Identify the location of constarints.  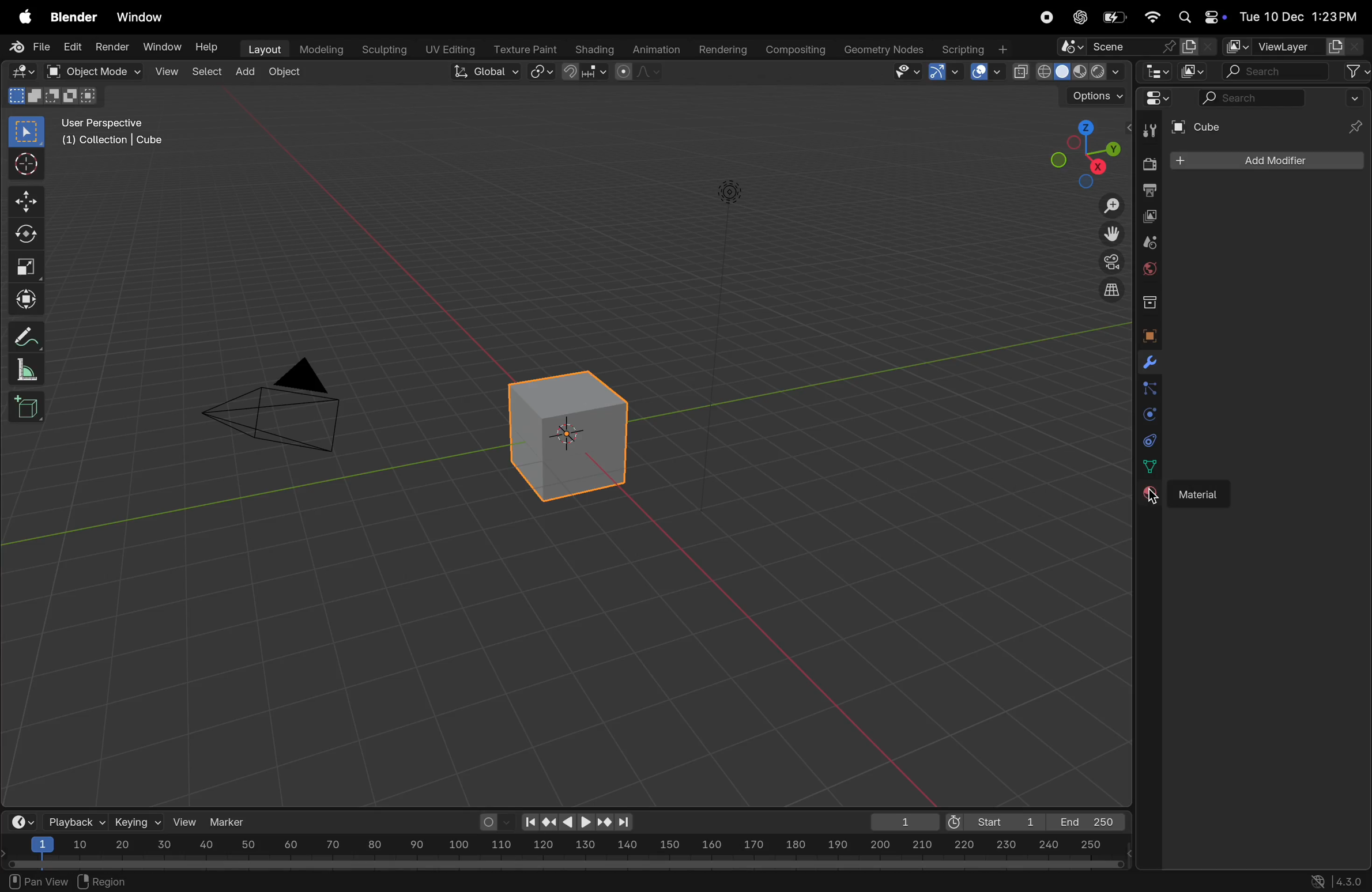
(1149, 443).